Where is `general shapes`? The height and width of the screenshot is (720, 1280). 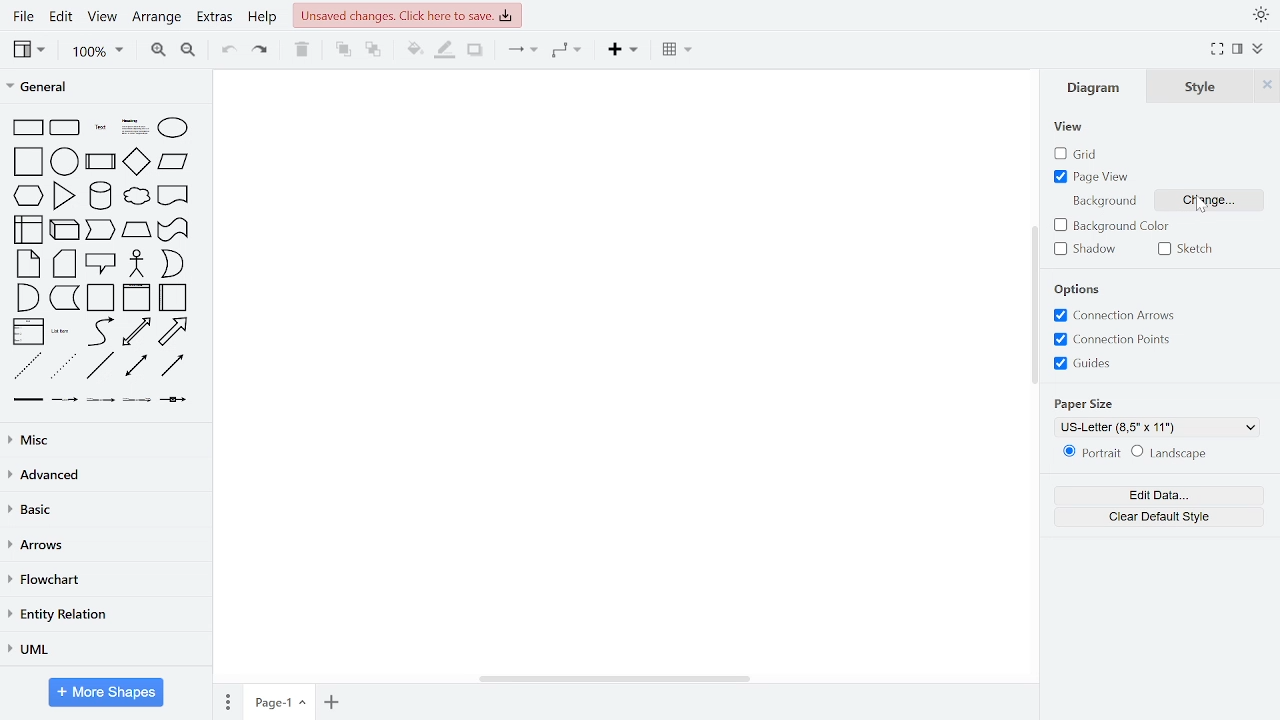 general shapes is located at coordinates (61, 366).